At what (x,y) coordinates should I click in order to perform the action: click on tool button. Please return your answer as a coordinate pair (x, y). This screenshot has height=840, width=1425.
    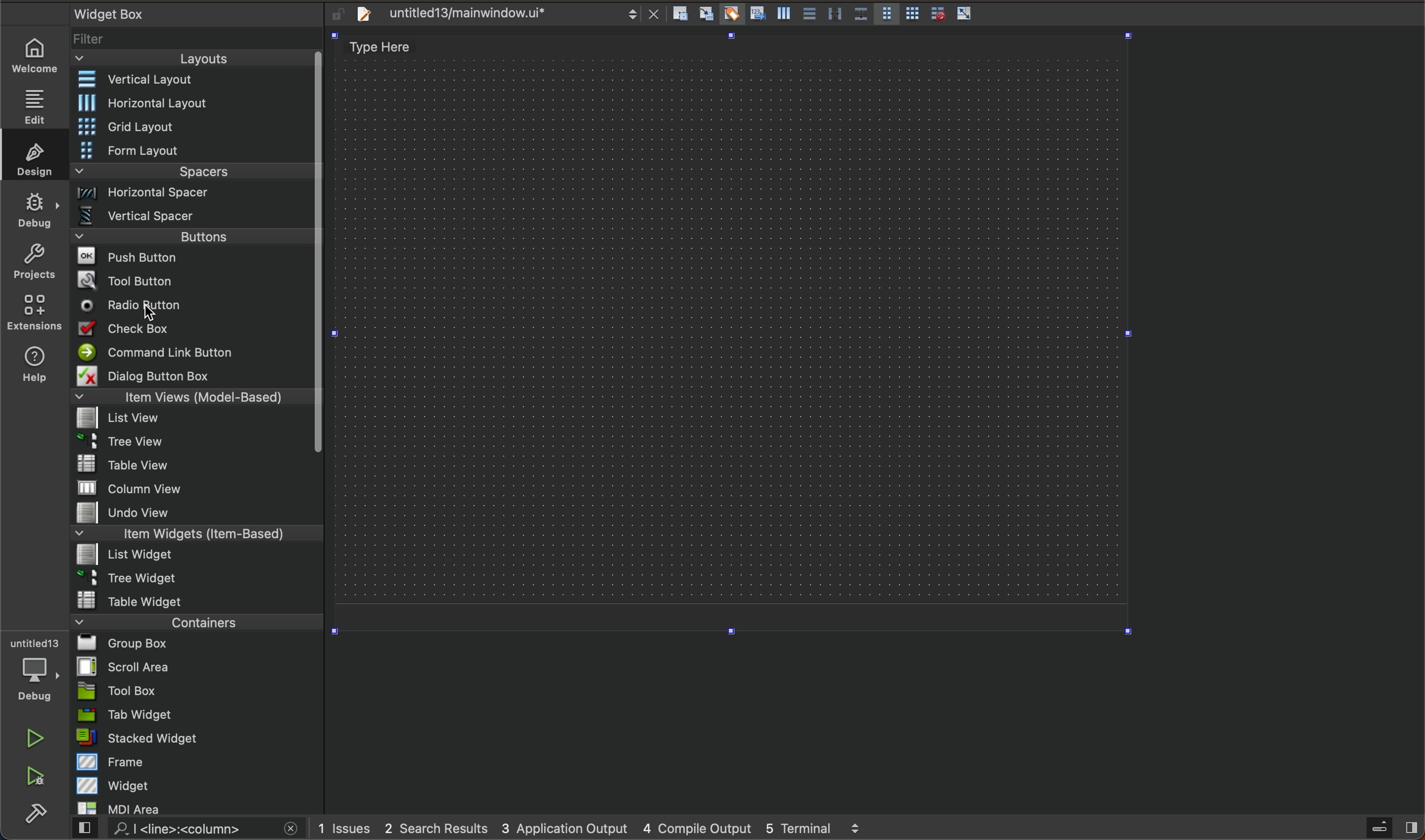
    Looking at the image, I should click on (194, 280).